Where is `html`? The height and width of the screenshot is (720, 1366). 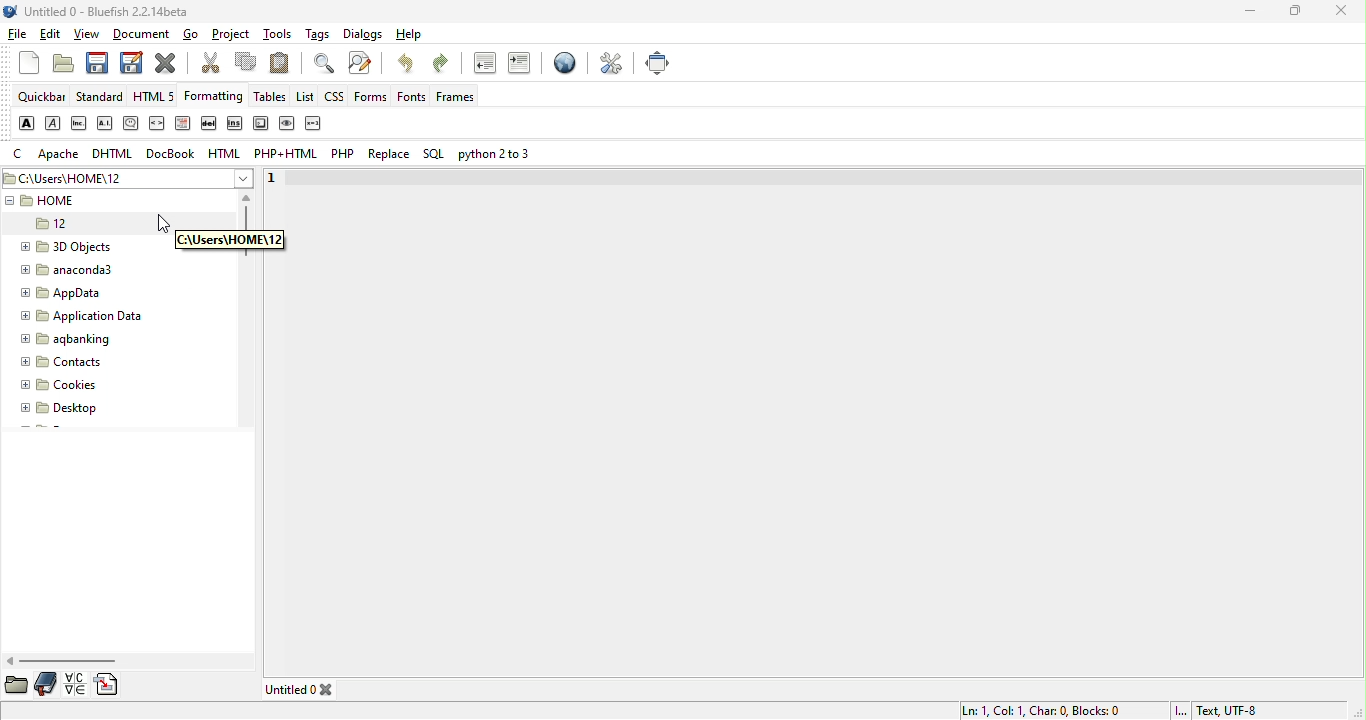
html is located at coordinates (224, 154).